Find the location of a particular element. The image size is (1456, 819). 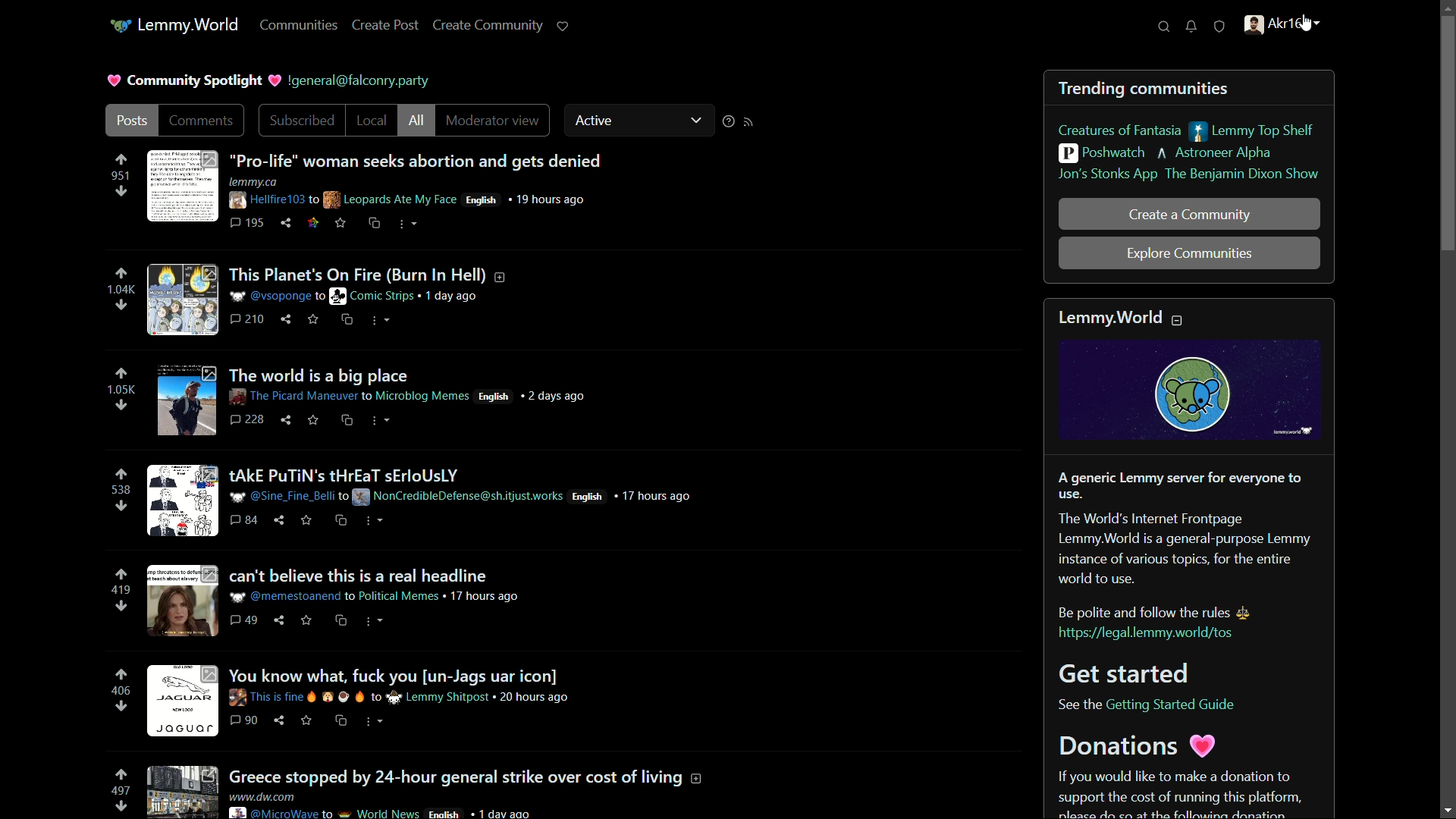

number of votes is located at coordinates (121, 792).